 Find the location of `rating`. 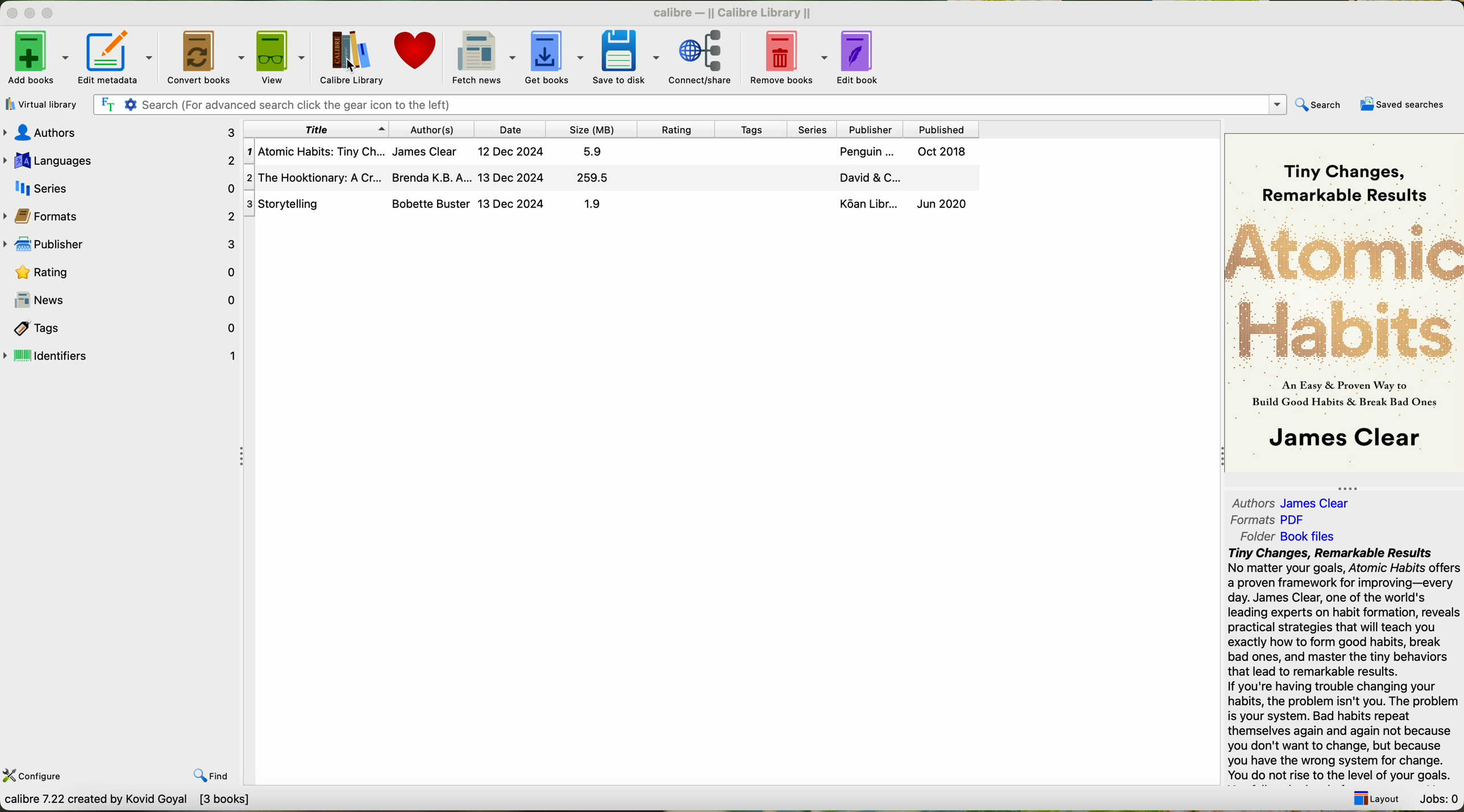

rating is located at coordinates (680, 129).